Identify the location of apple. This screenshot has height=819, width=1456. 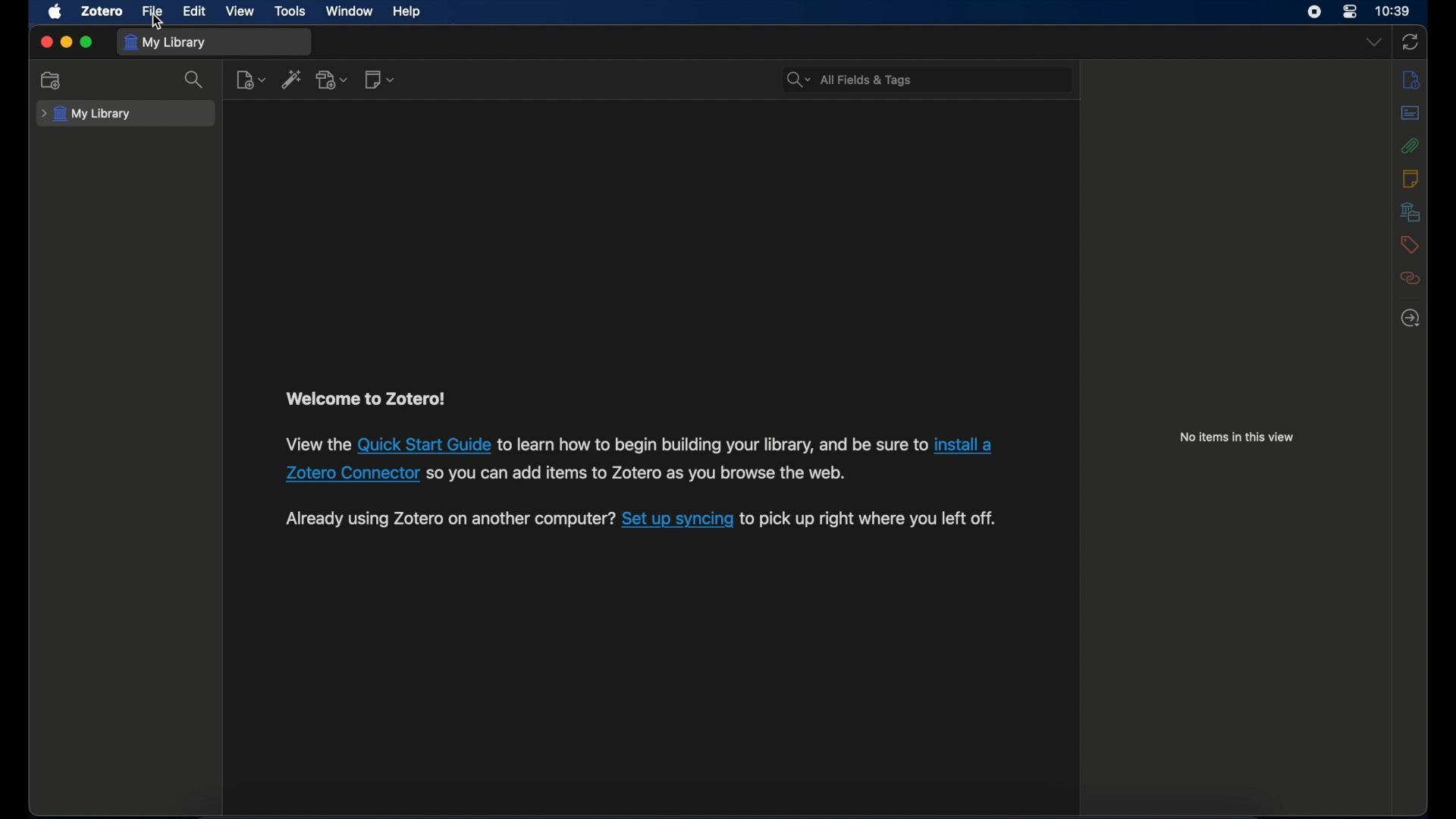
(55, 12).